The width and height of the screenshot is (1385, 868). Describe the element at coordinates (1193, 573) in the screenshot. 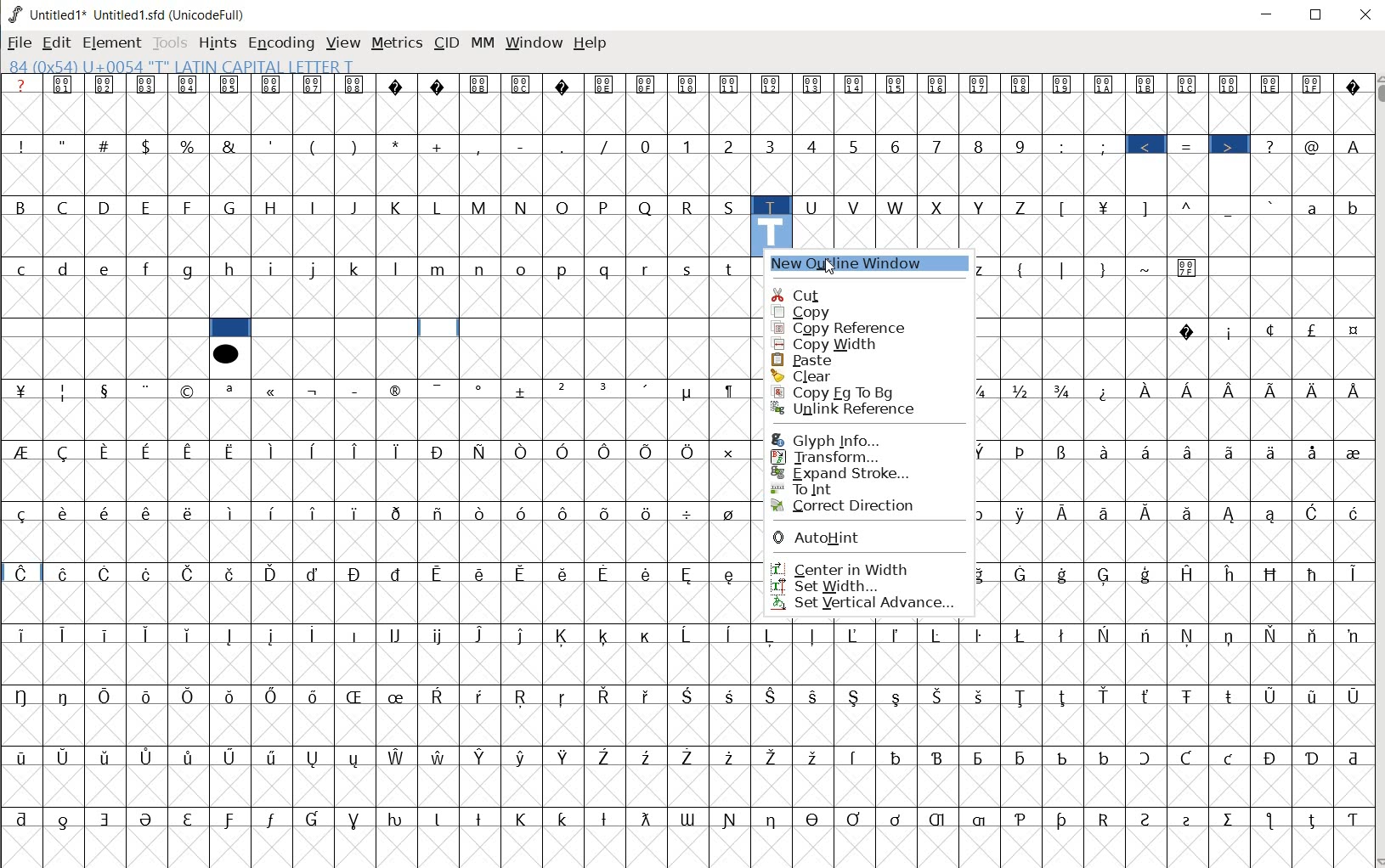

I see `Symbol` at that location.